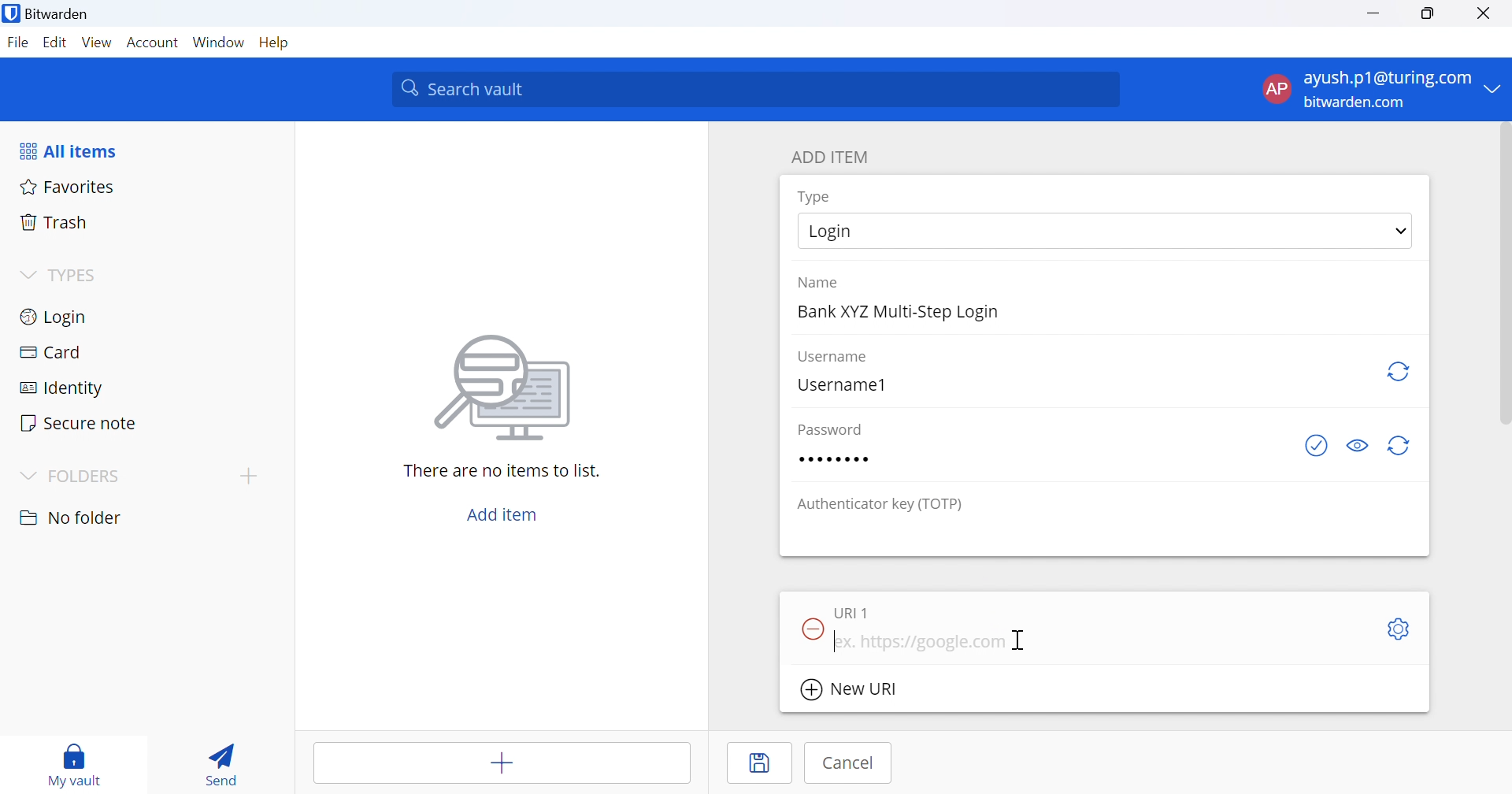  What do you see at coordinates (1401, 629) in the screenshot?
I see `Settings` at bounding box center [1401, 629].